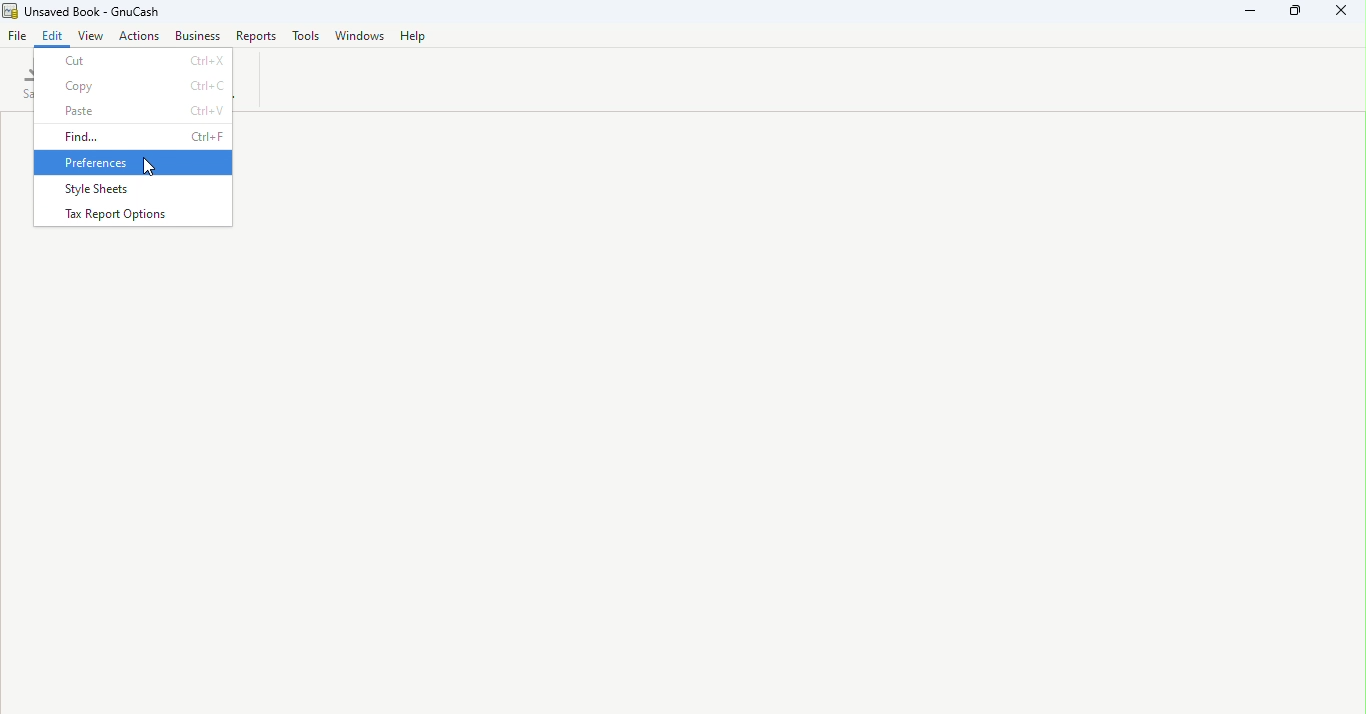 This screenshot has height=714, width=1366. What do you see at coordinates (149, 168) in the screenshot?
I see `cursor` at bounding box center [149, 168].